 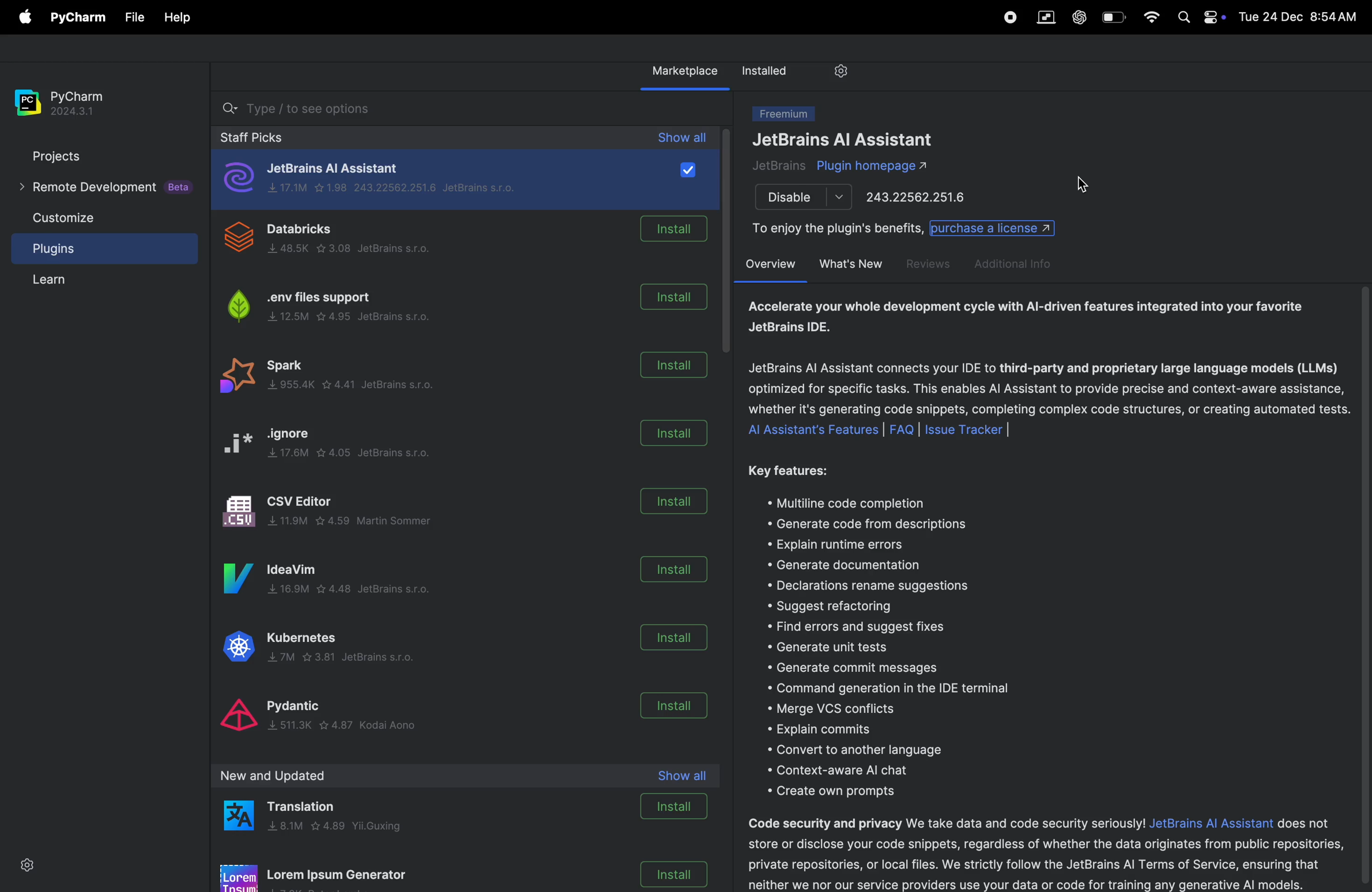 What do you see at coordinates (678, 814) in the screenshot?
I see `install` at bounding box center [678, 814].